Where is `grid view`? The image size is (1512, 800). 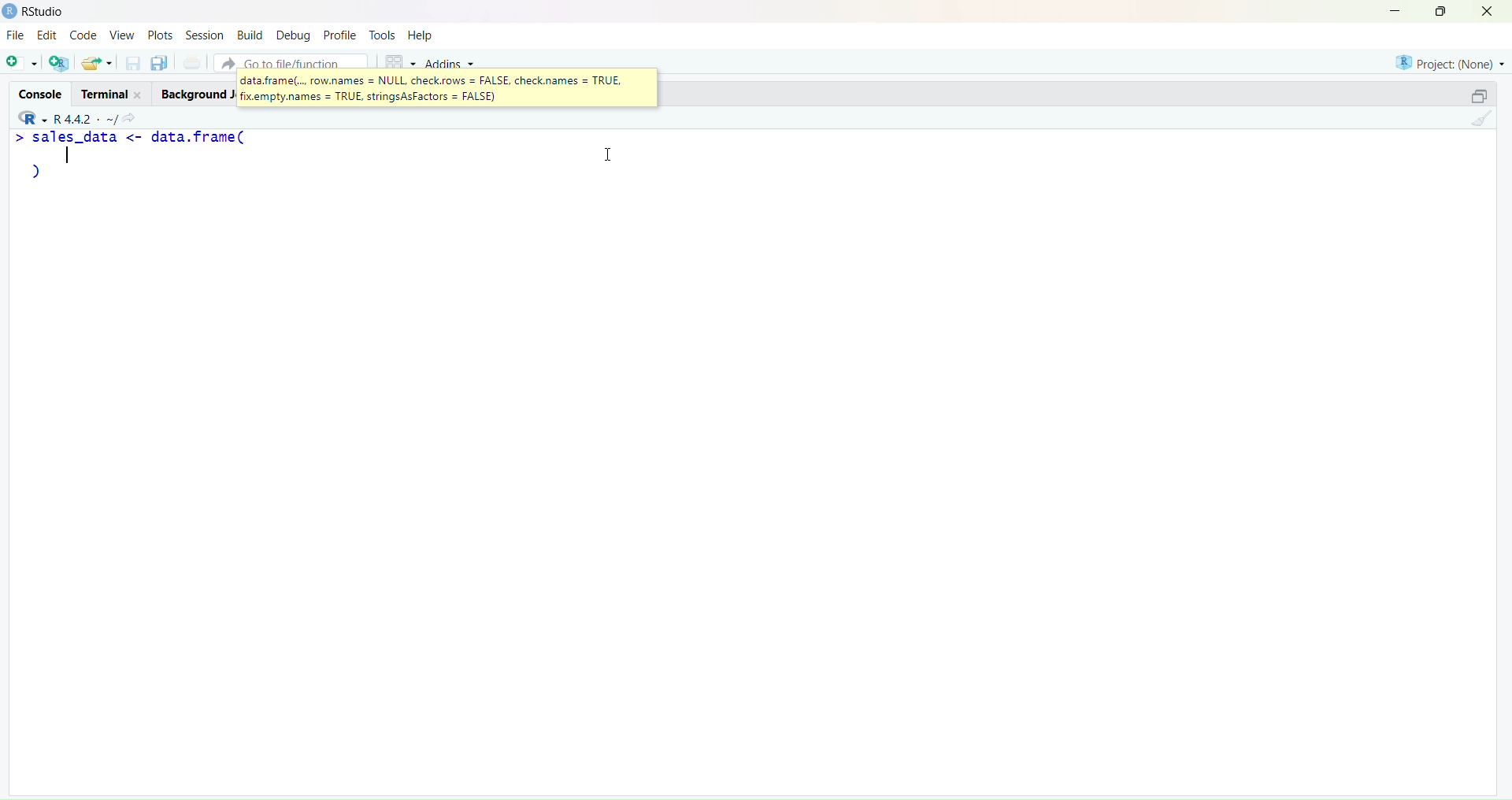 grid view is located at coordinates (395, 60).